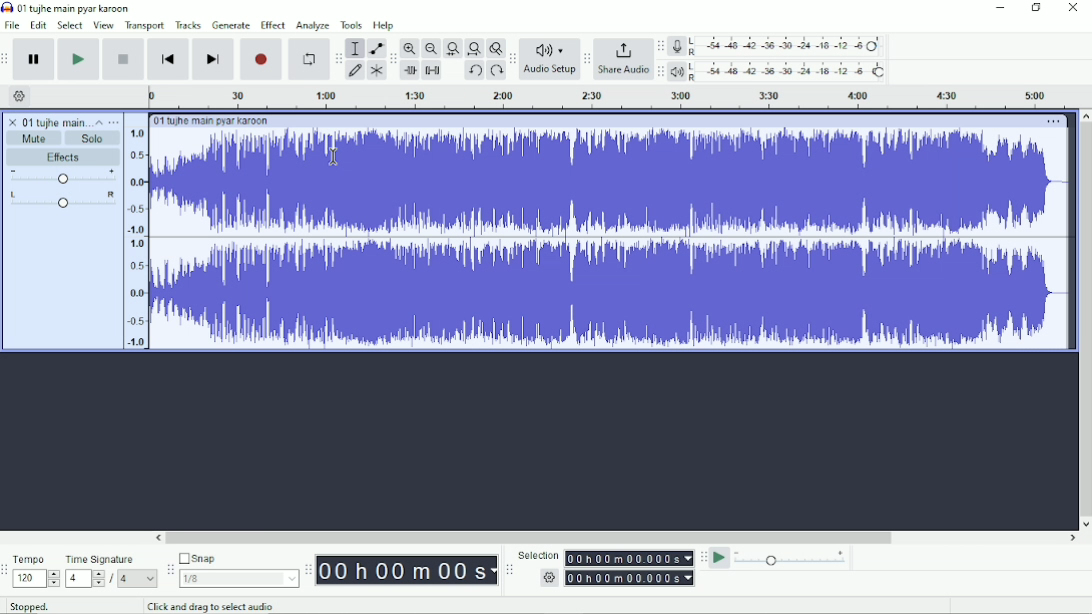  Describe the element at coordinates (587, 60) in the screenshot. I see `Audacity share audio toolbar` at that location.